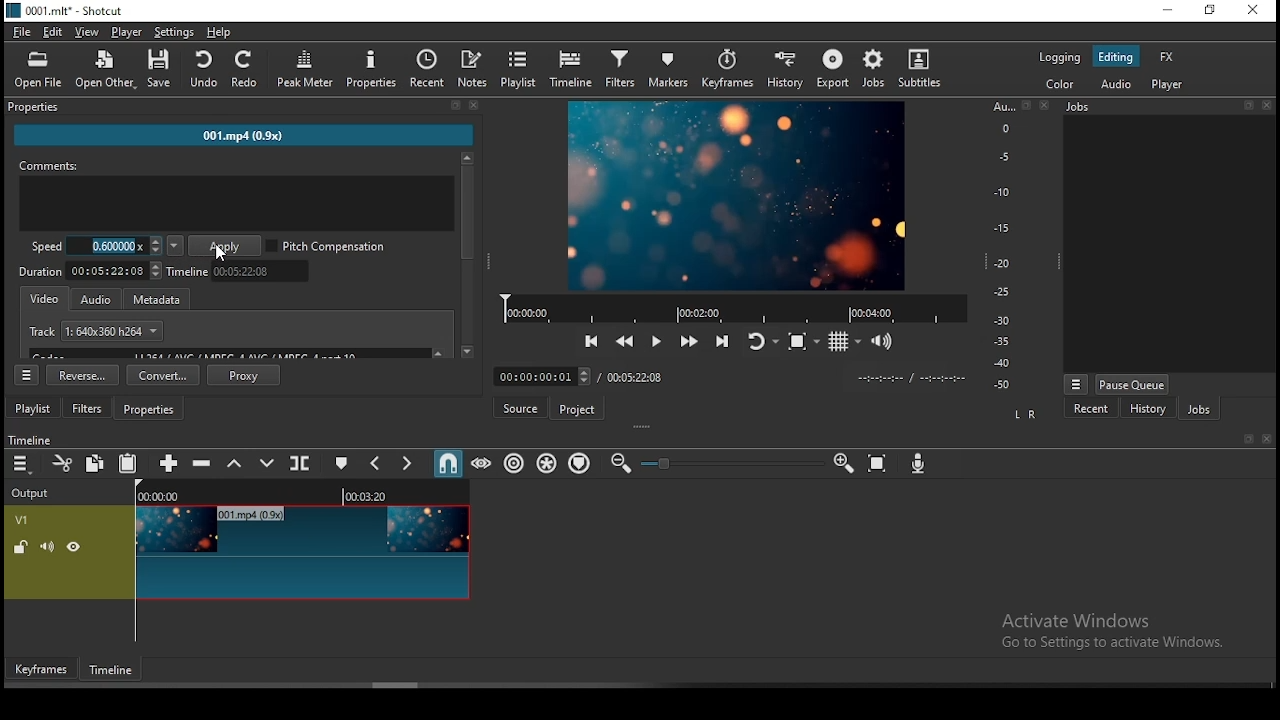 The image size is (1280, 720). Describe the element at coordinates (725, 339) in the screenshot. I see `skip to next point` at that location.